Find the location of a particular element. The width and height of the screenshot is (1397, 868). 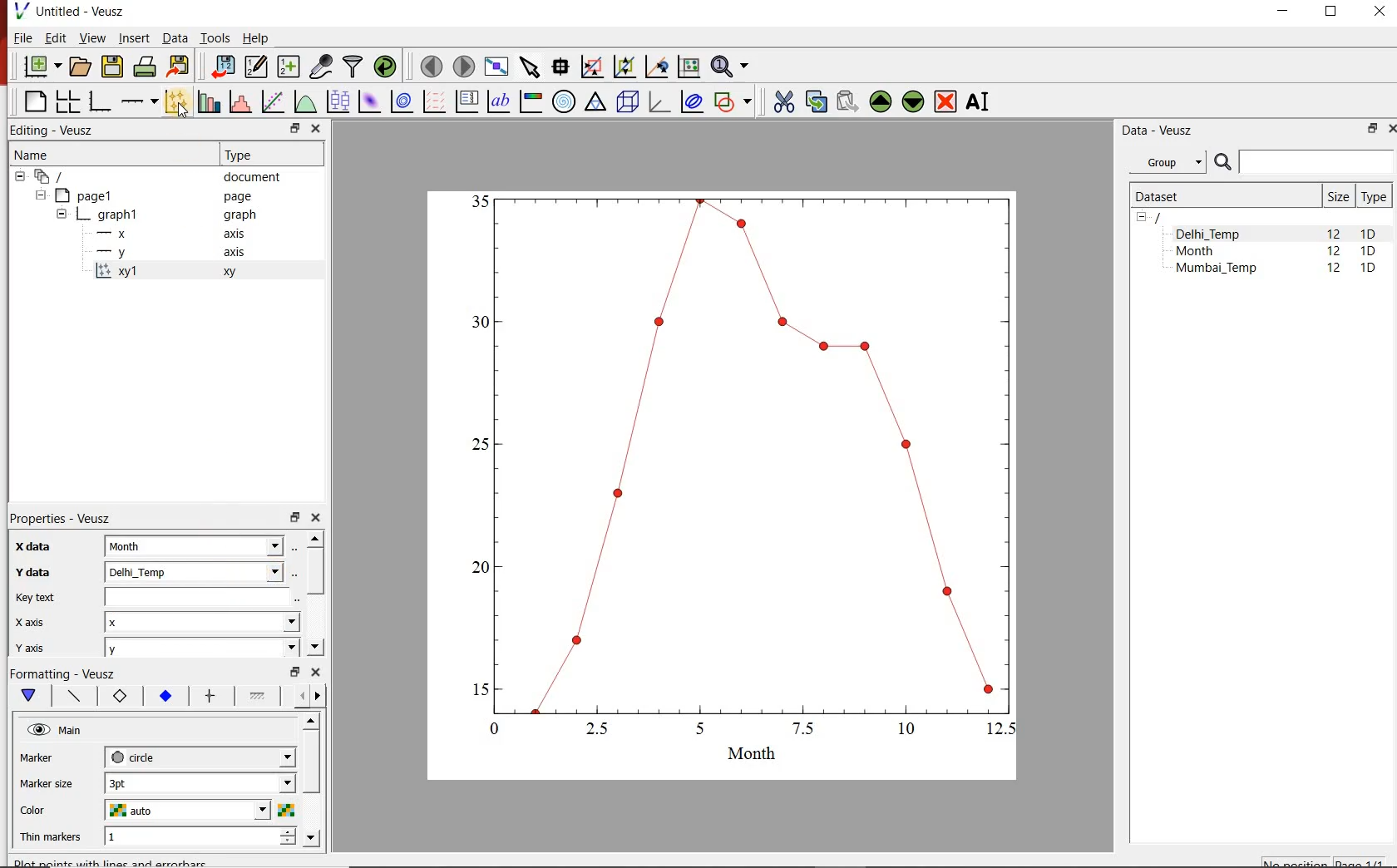

MINIMIZE is located at coordinates (1284, 12).